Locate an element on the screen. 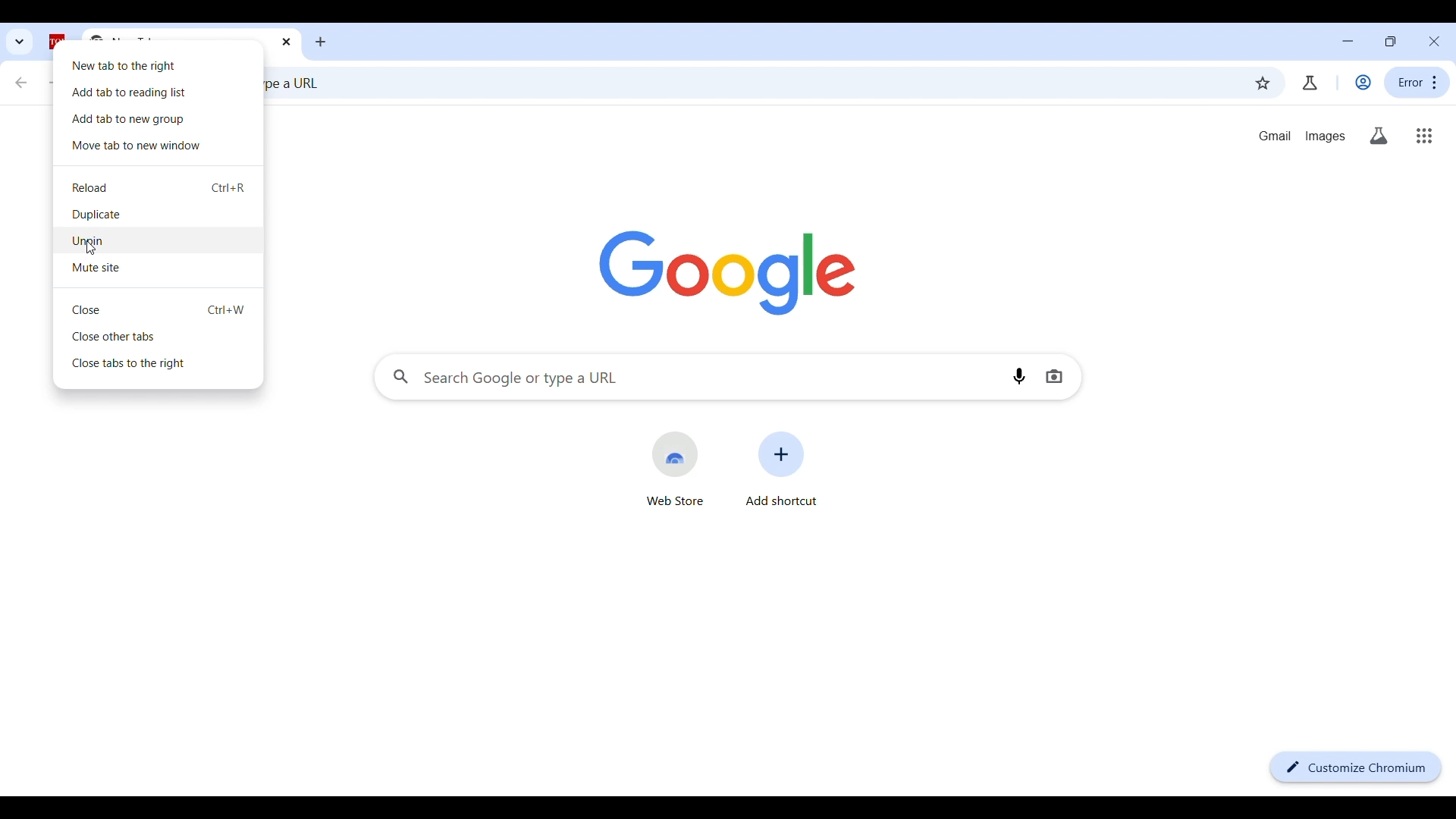  Minimize is located at coordinates (1348, 41).